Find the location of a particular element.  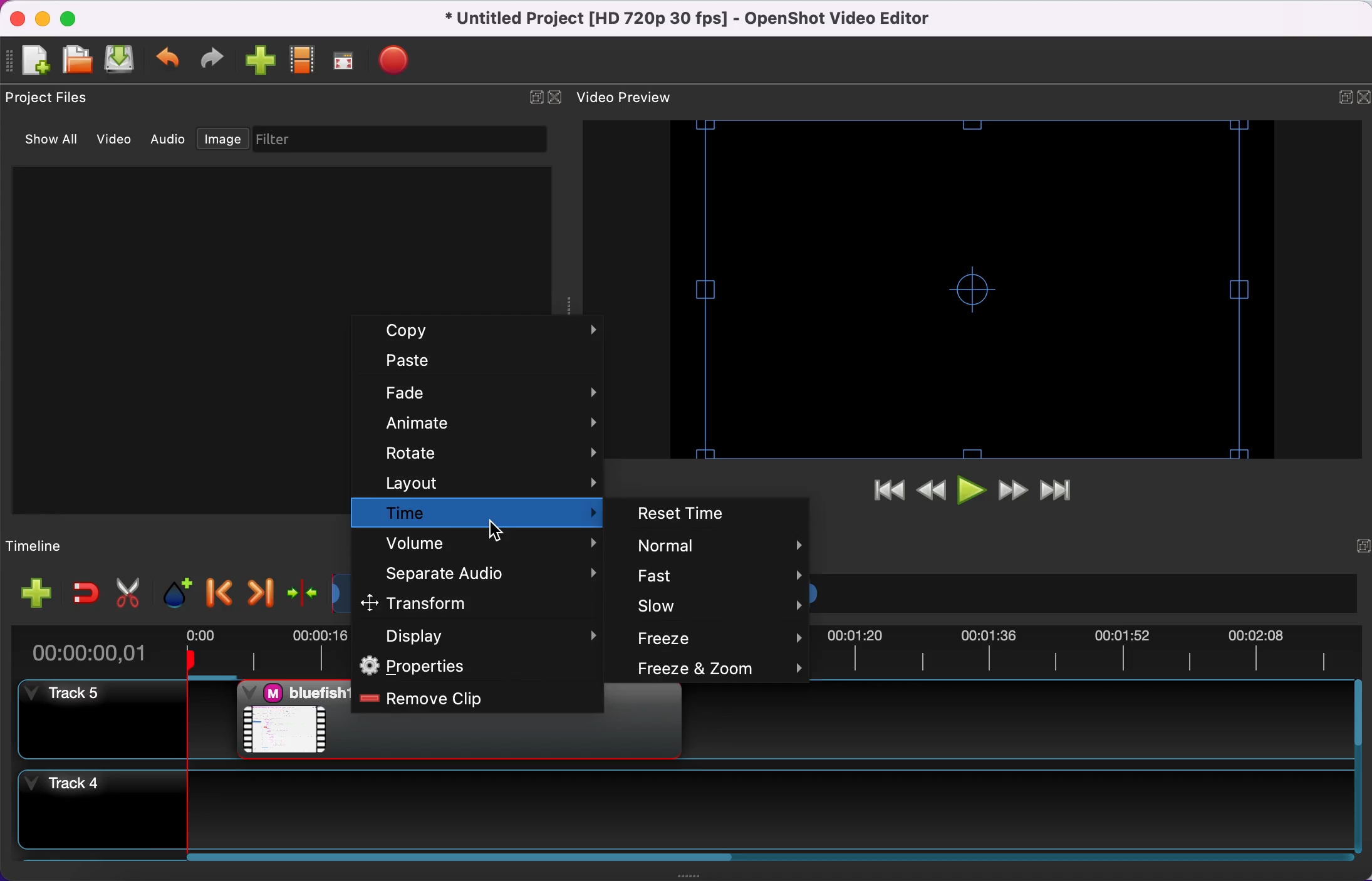

time duration is located at coordinates (101, 649).